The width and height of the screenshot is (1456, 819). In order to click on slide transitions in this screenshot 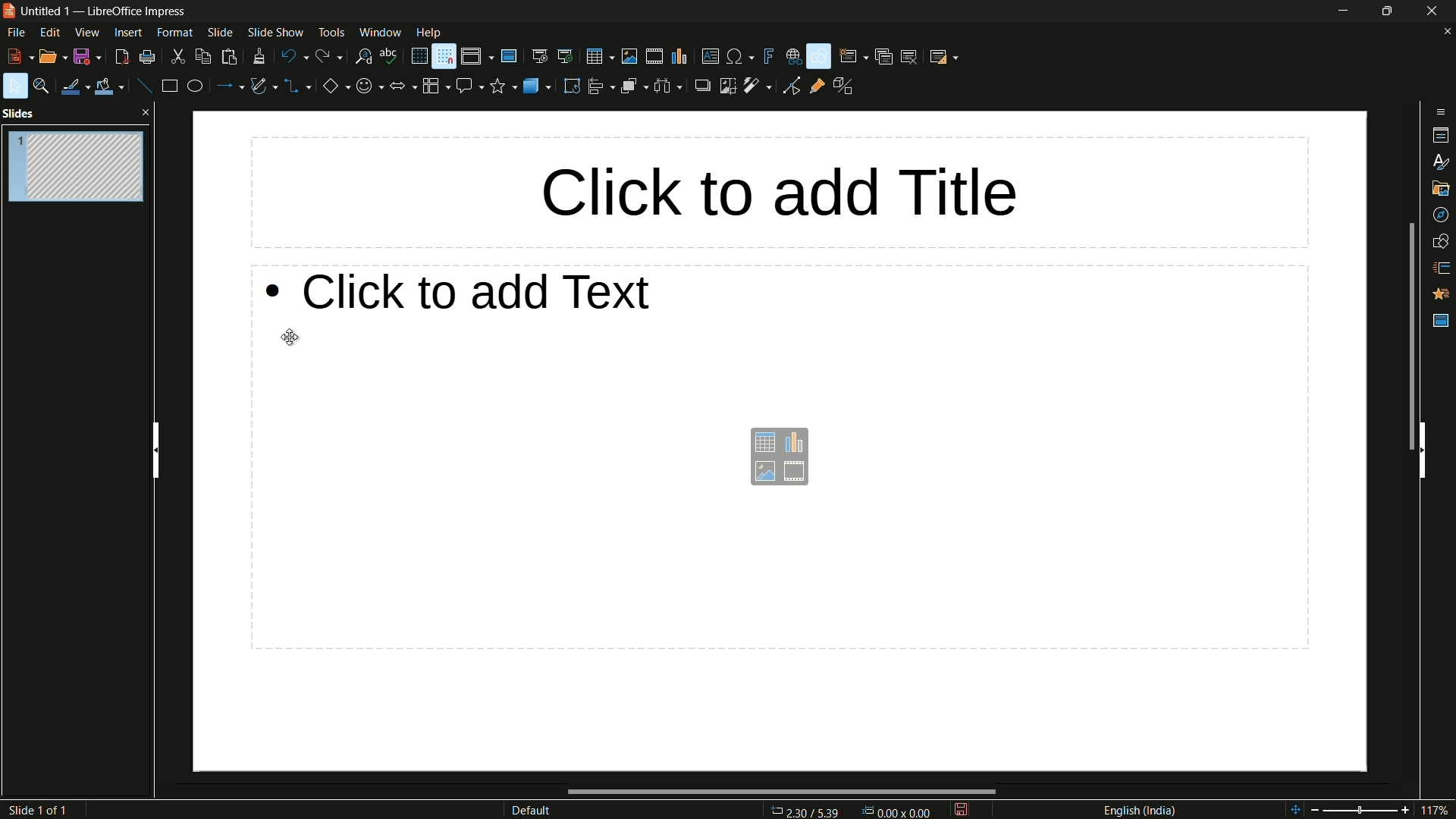, I will do `click(1439, 265)`.